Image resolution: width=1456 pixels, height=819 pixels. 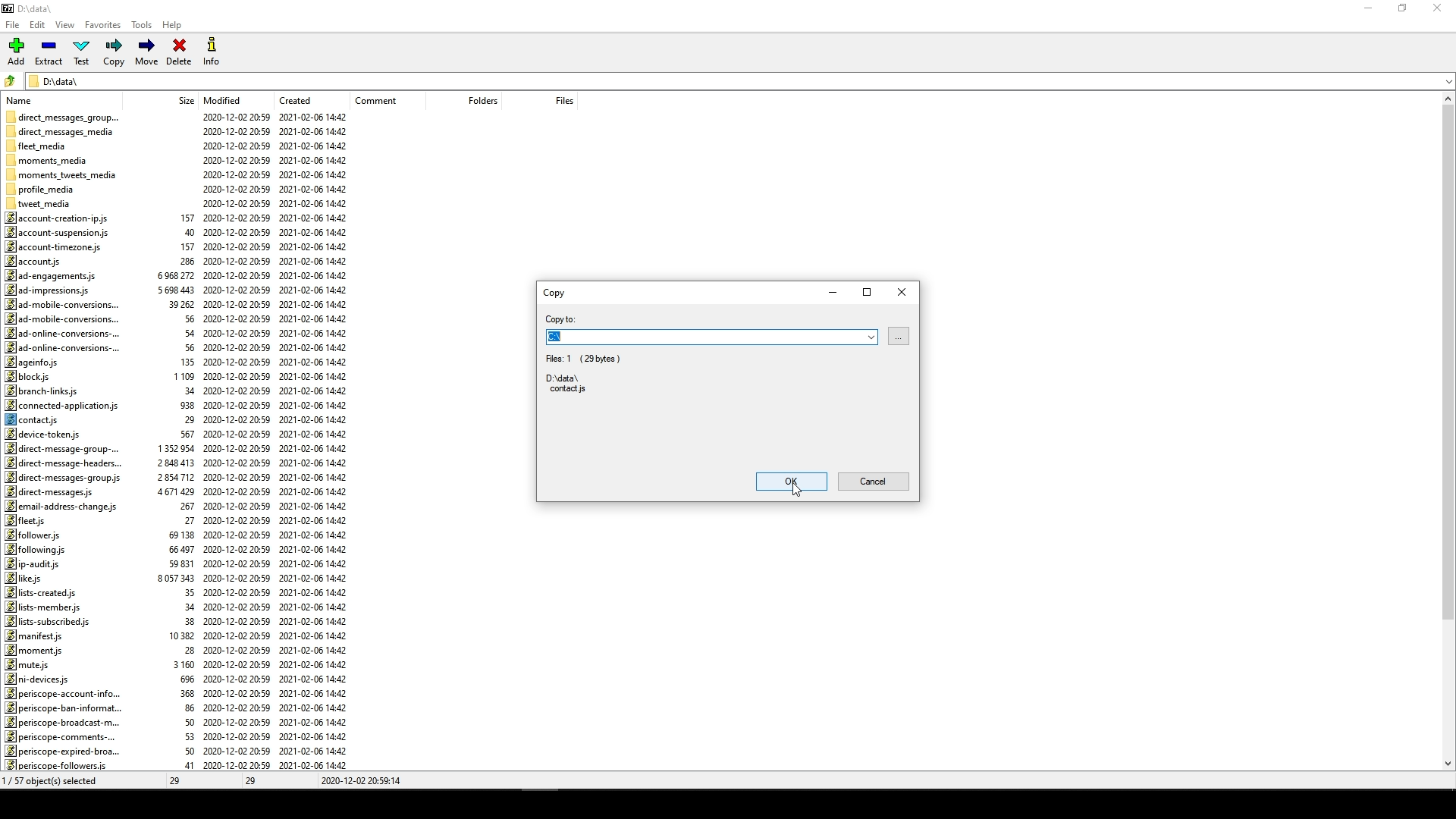 I want to click on connected-application.js, so click(x=61, y=406).